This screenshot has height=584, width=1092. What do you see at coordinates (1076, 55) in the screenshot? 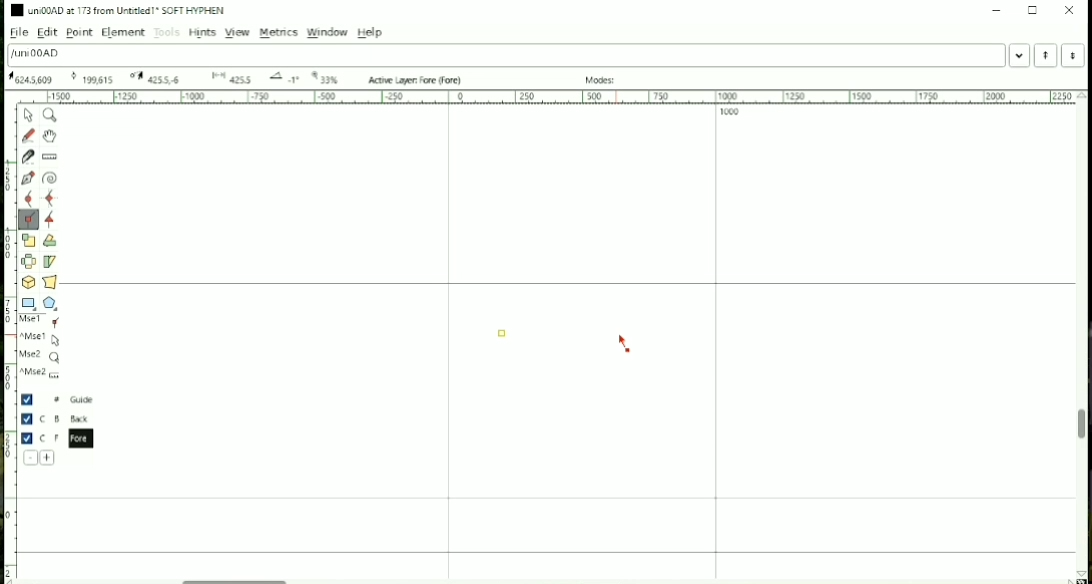
I see `Next Word` at bounding box center [1076, 55].